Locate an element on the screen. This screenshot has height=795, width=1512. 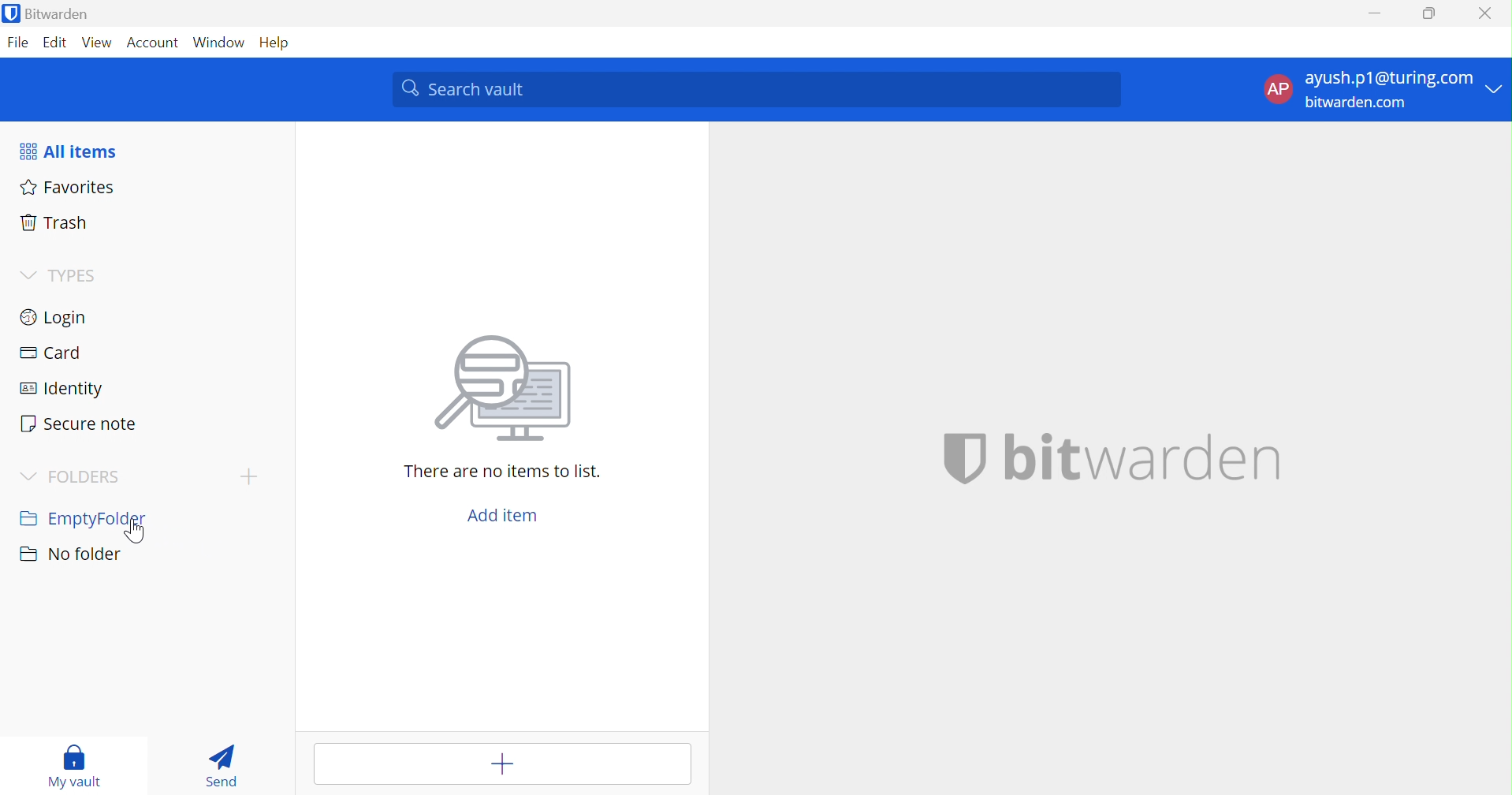
Bitwarden is located at coordinates (48, 13).